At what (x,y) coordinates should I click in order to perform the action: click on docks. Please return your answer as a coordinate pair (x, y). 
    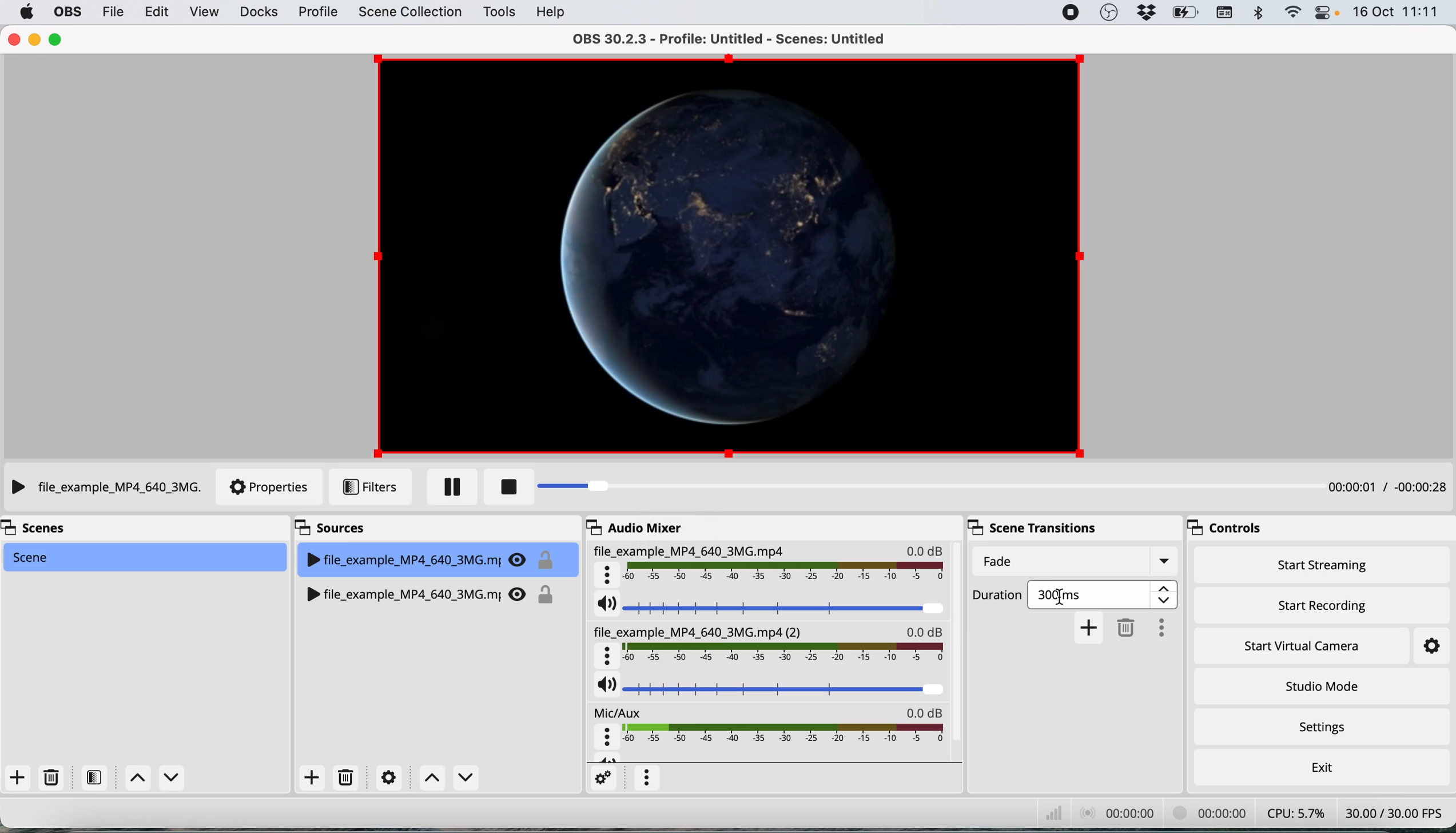
    Looking at the image, I should click on (258, 14).